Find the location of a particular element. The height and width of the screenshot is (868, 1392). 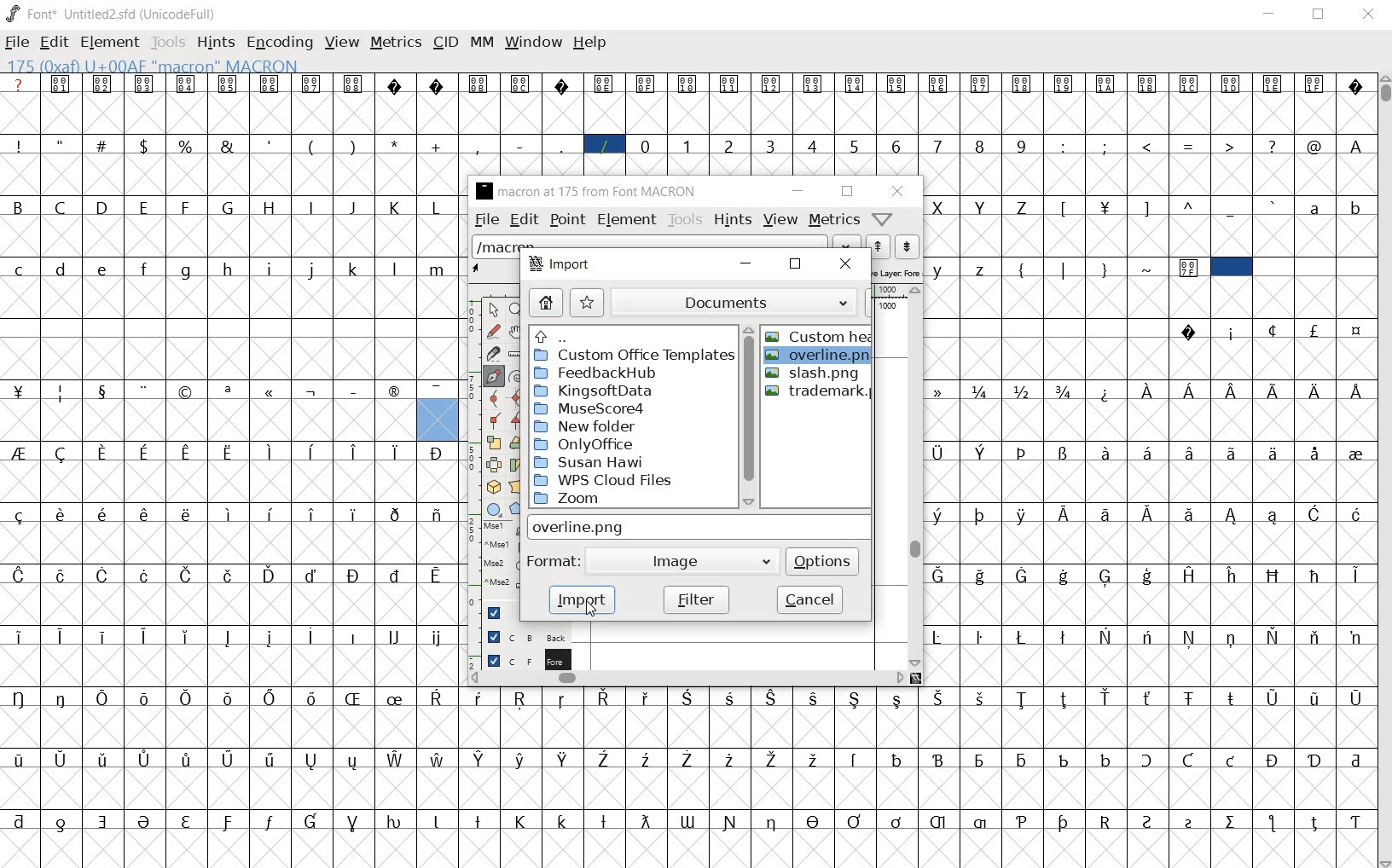

Symbol is located at coordinates (1230, 759).